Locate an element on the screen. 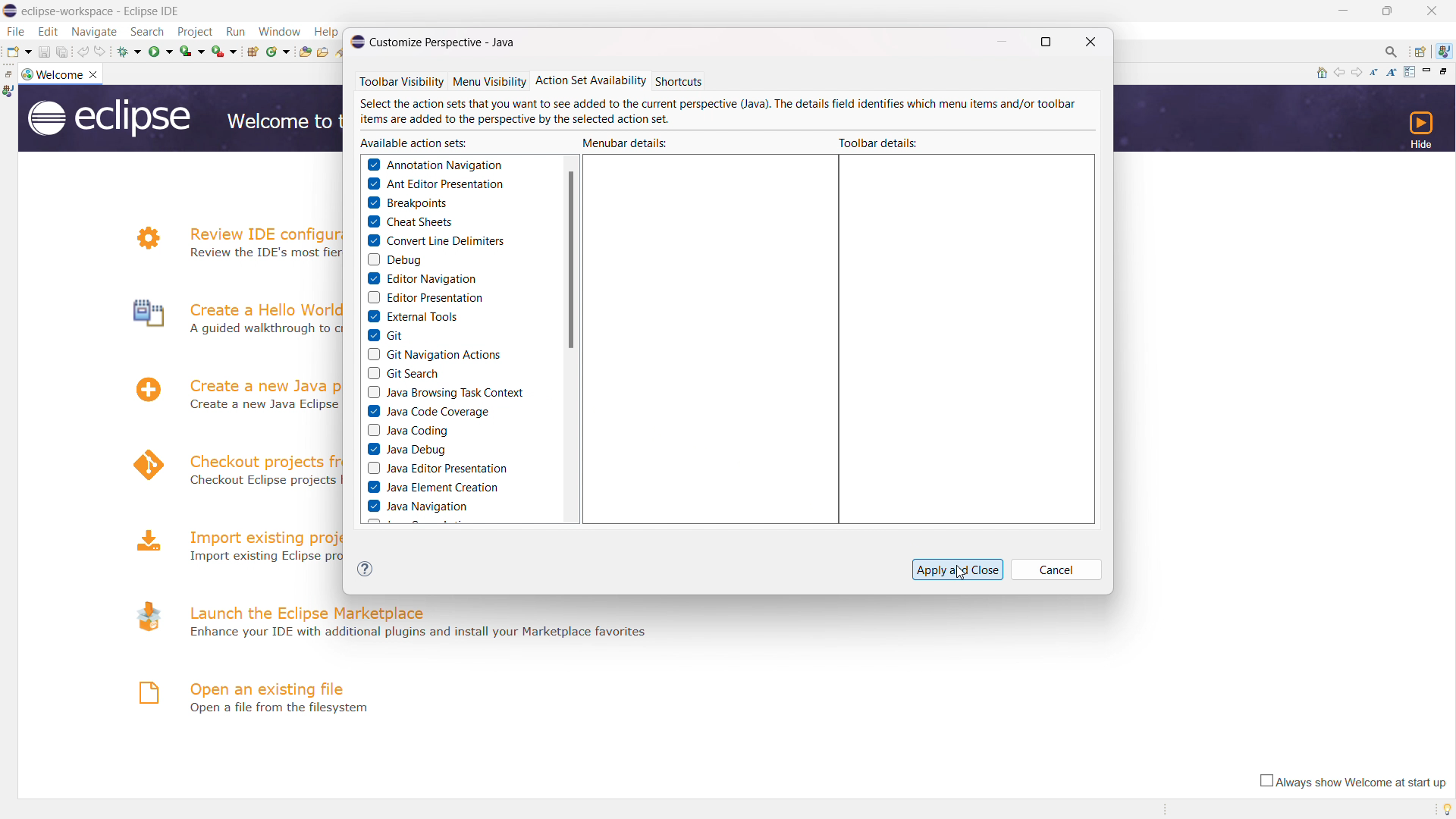  Title is located at coordinates (111, 10).